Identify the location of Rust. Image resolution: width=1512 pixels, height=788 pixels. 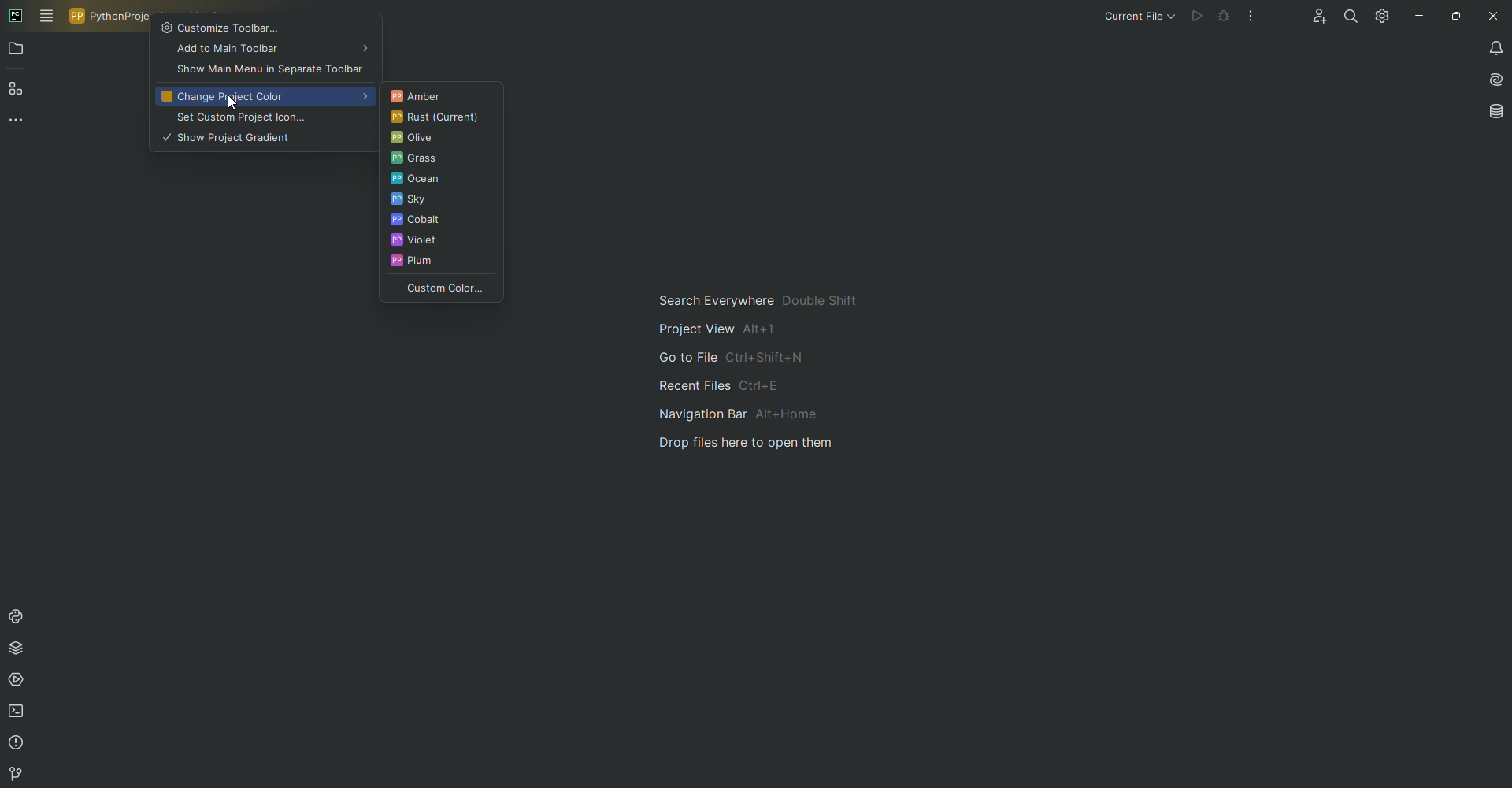
(437, 118).